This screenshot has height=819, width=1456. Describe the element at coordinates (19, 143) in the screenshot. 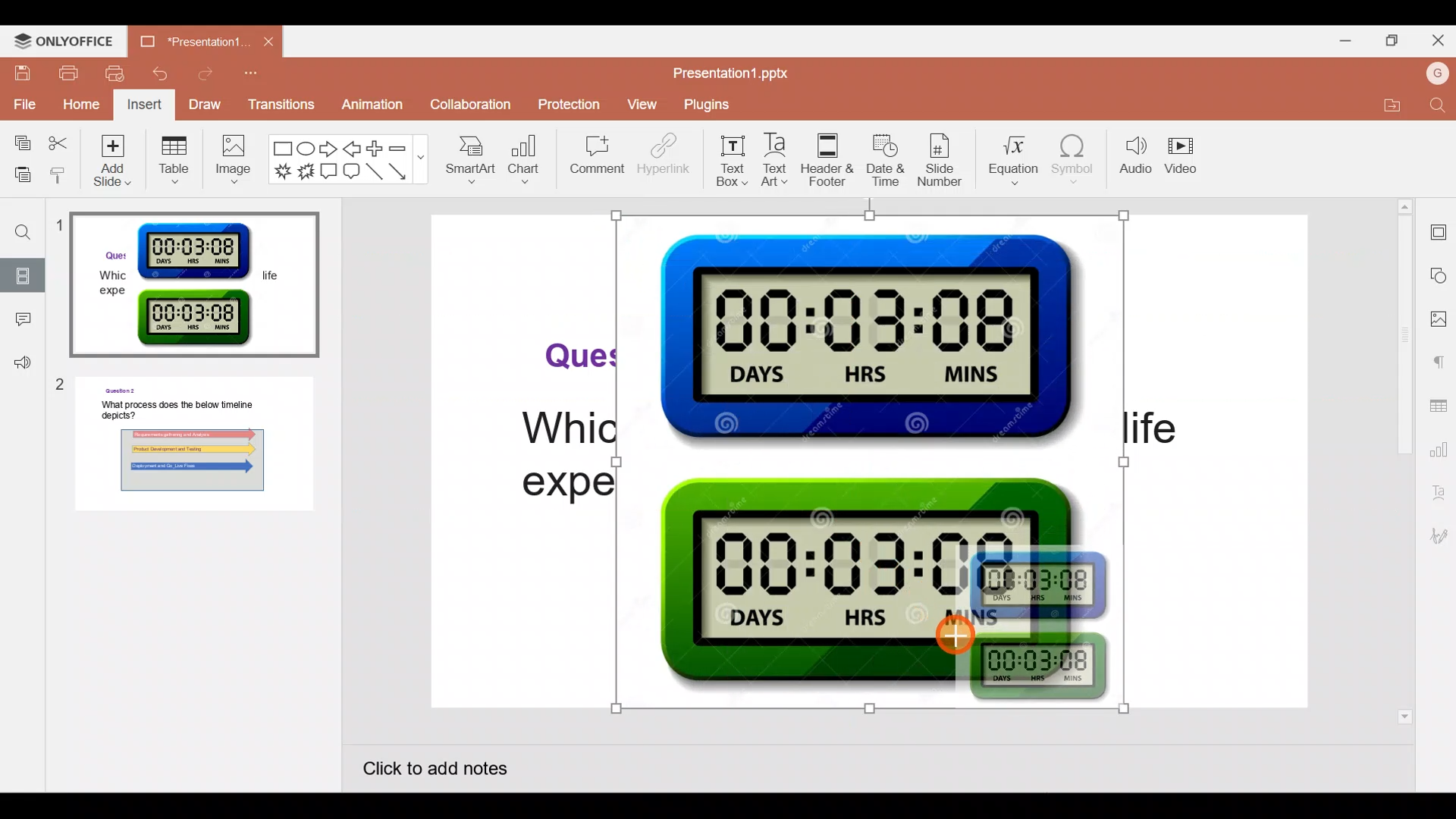

I see `Copy` at that location.